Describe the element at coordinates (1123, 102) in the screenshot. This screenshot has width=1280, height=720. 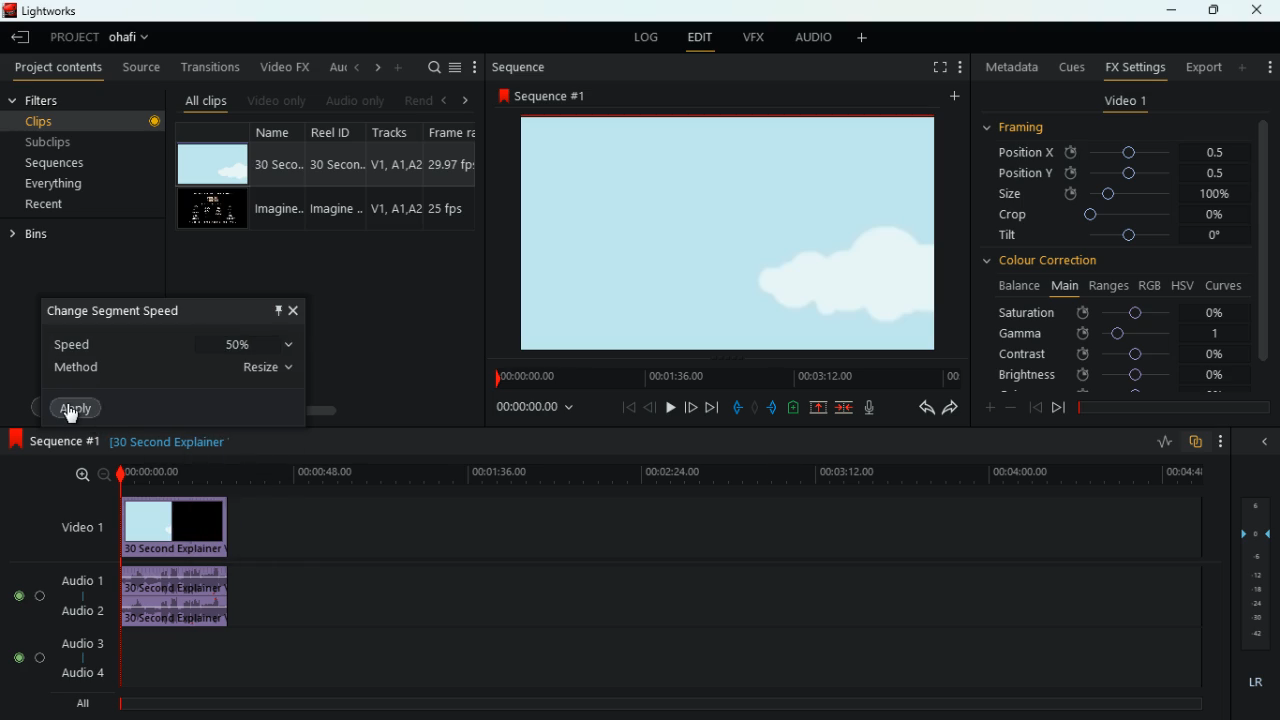
I see `video 1` at that location.